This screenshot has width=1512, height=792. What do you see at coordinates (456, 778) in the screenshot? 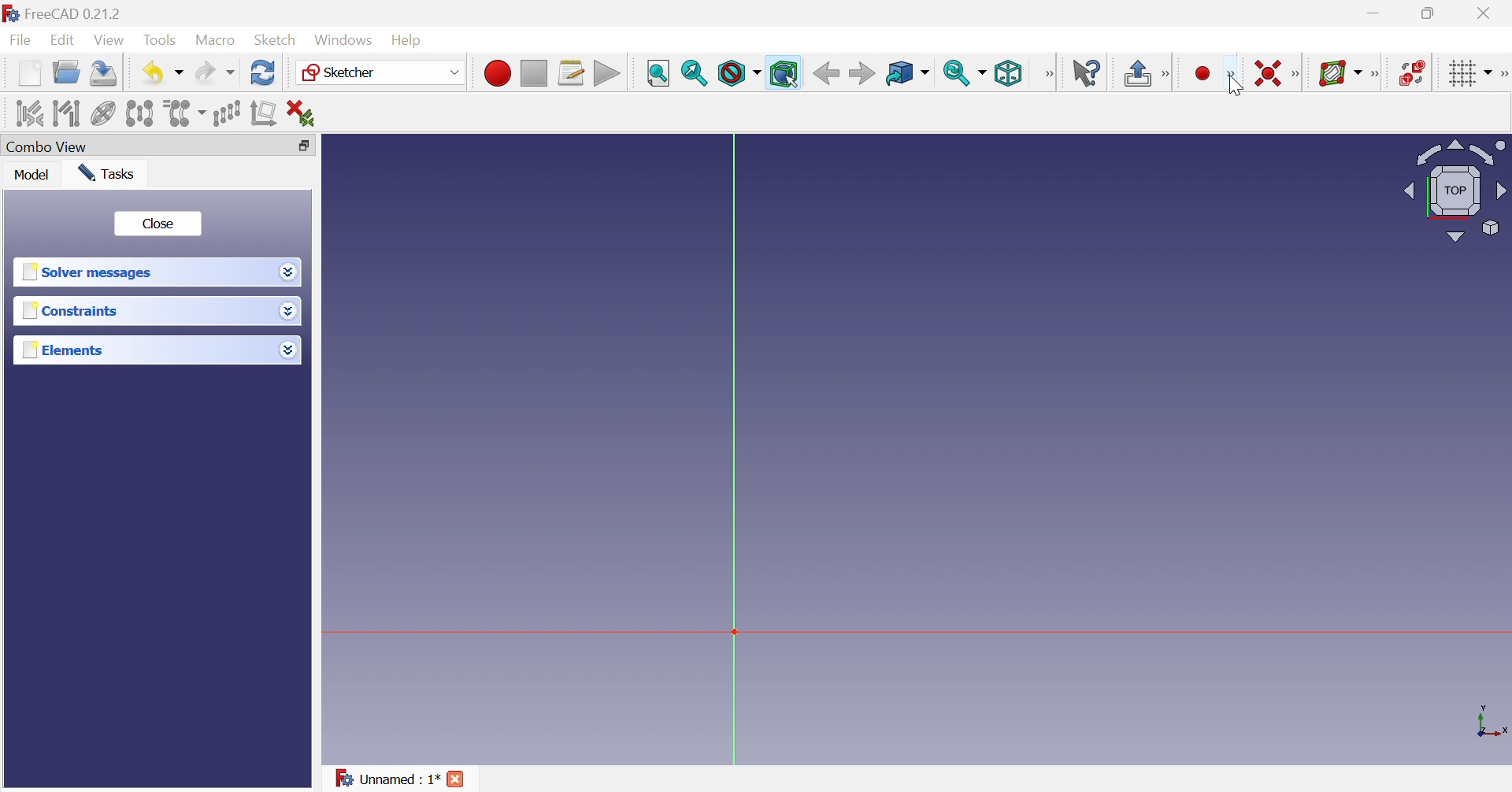
I see `Close` at bounding box center [456, 778].